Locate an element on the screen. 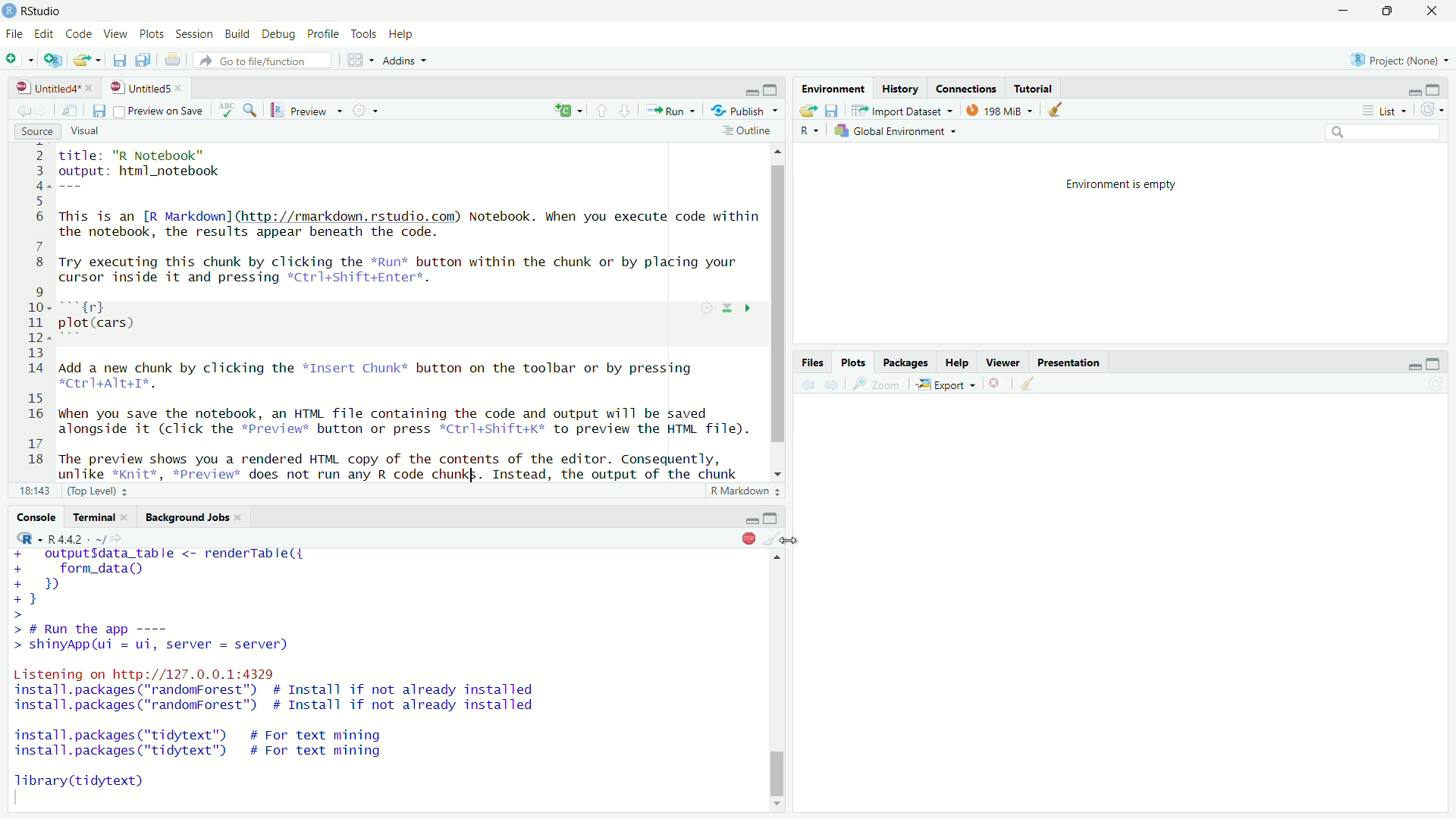 This screenshot has width=1456, height=819. Viewer is located at coordinates (1008, 364).